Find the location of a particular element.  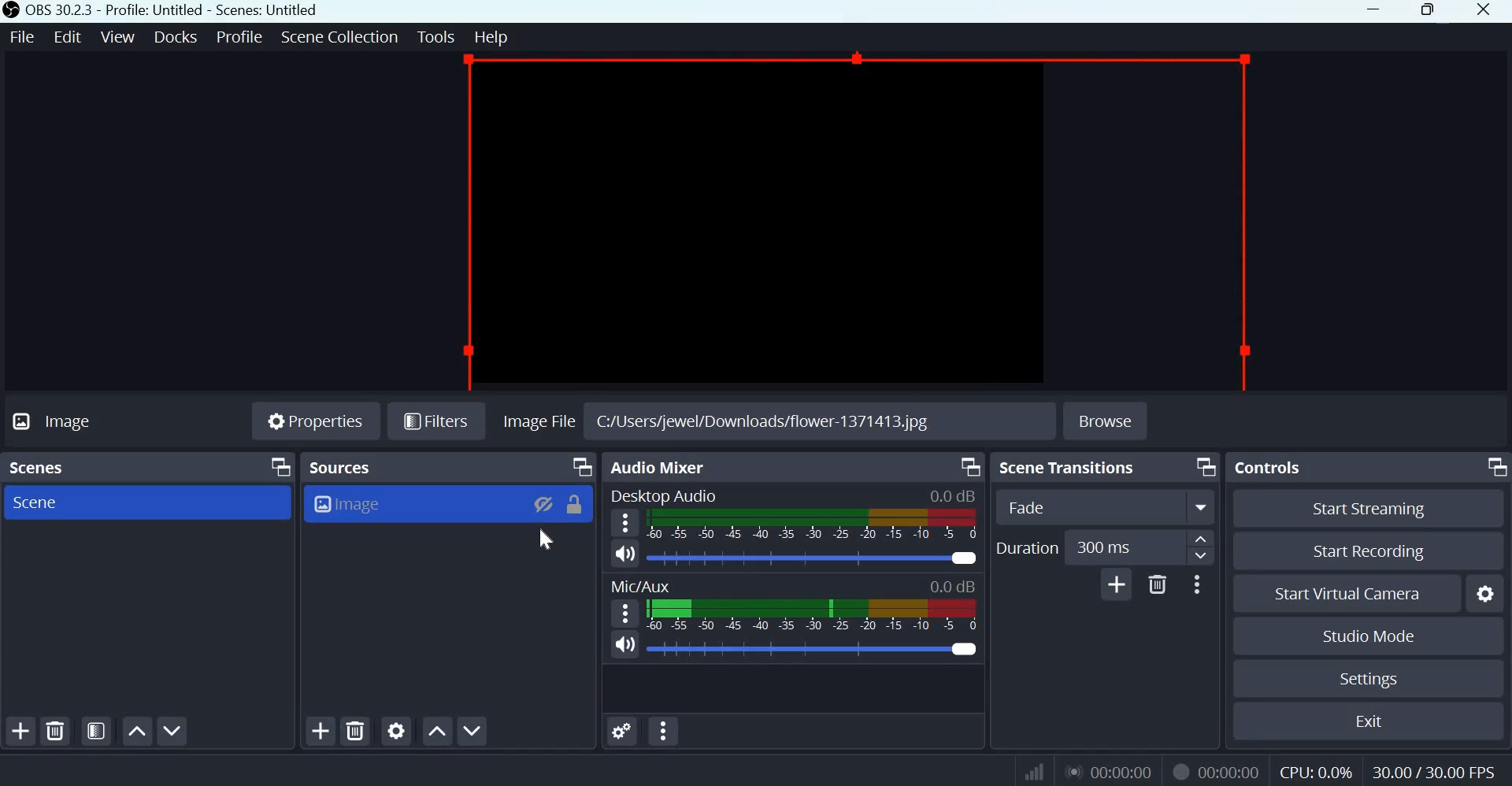

Audio Mixer is located at coordinates (662, 465).